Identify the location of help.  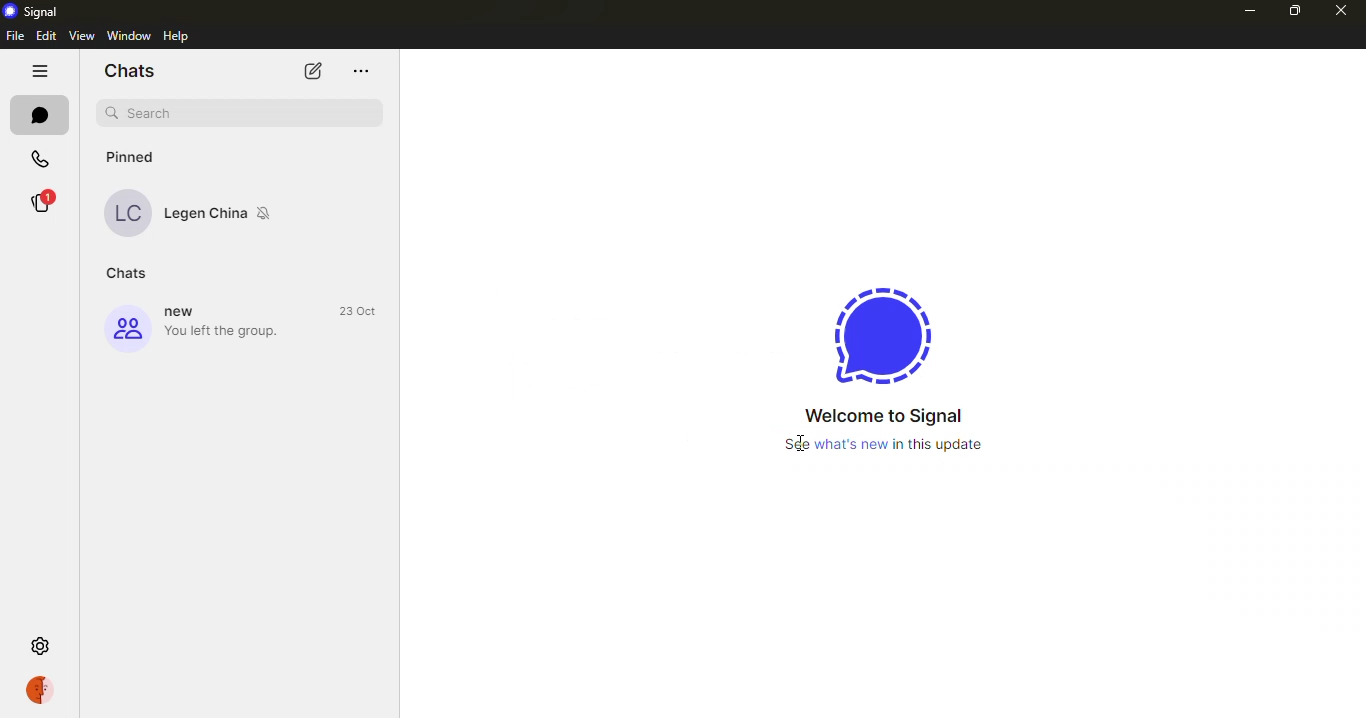
(180, 35).